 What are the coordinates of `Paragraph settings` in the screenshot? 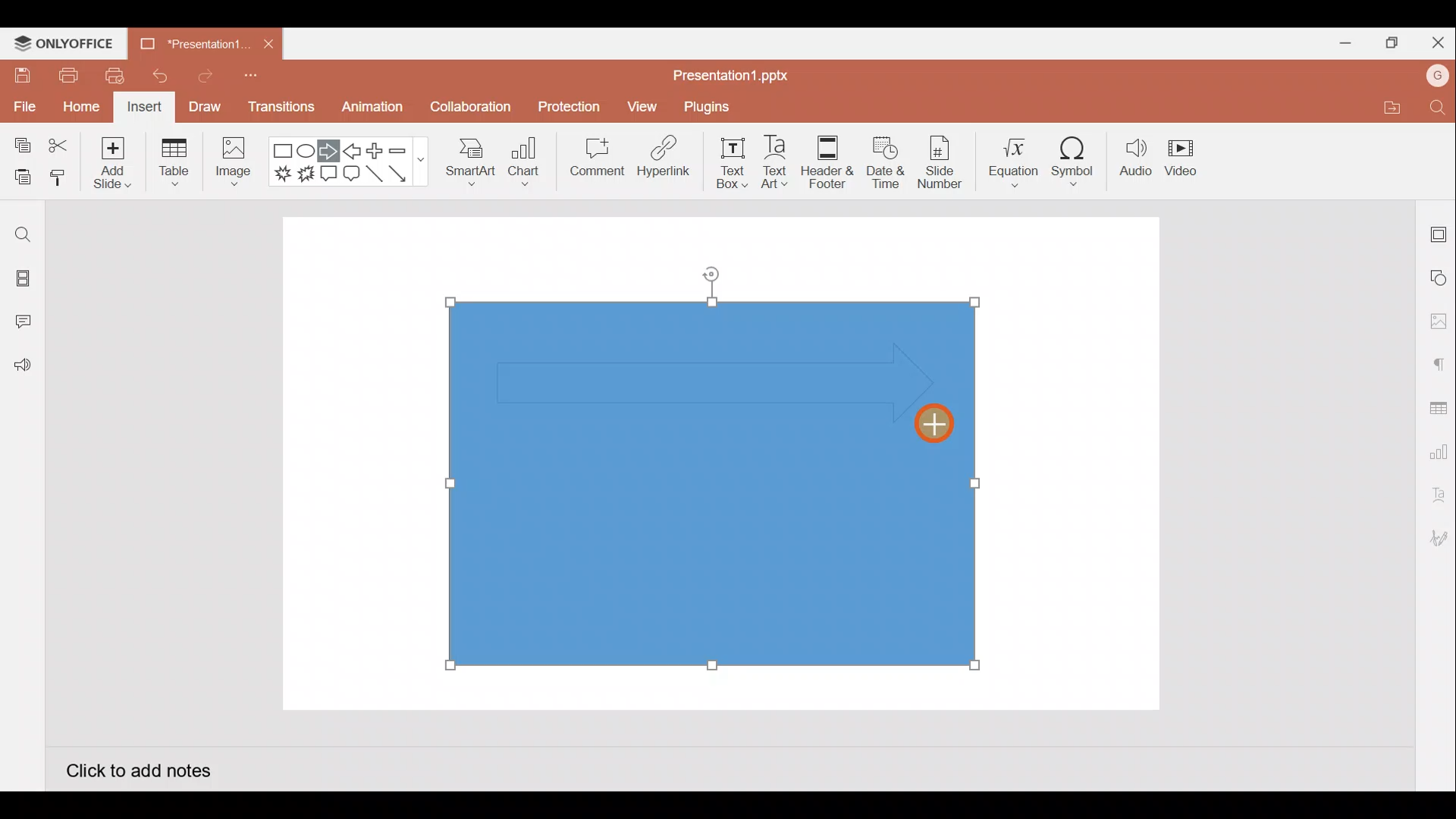 It's located at (1438, 362).